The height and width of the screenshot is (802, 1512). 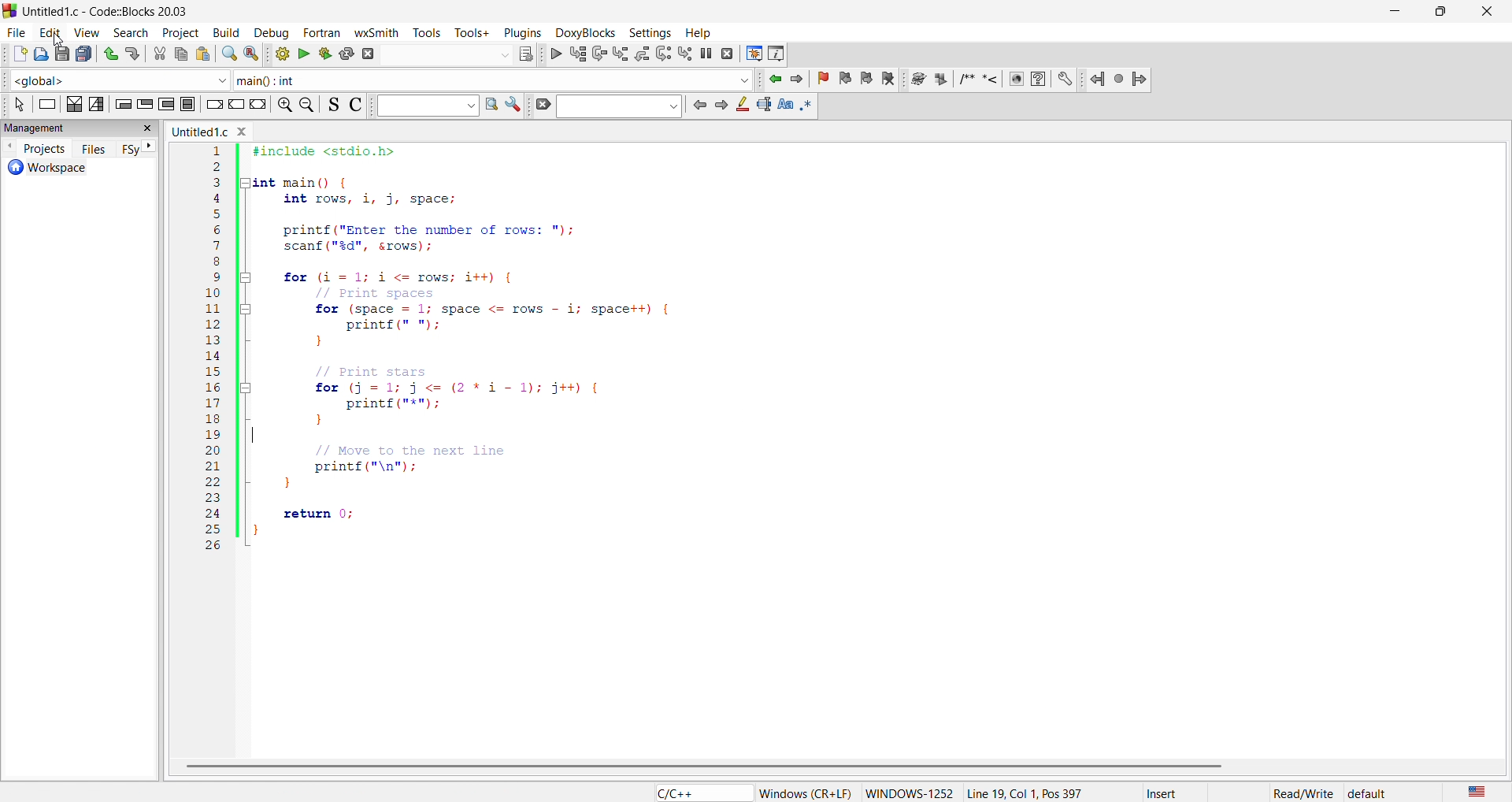 What do you see at coordinates (542, 106) in the screenshot?
I see `clear` at bounding box center [542, 106].